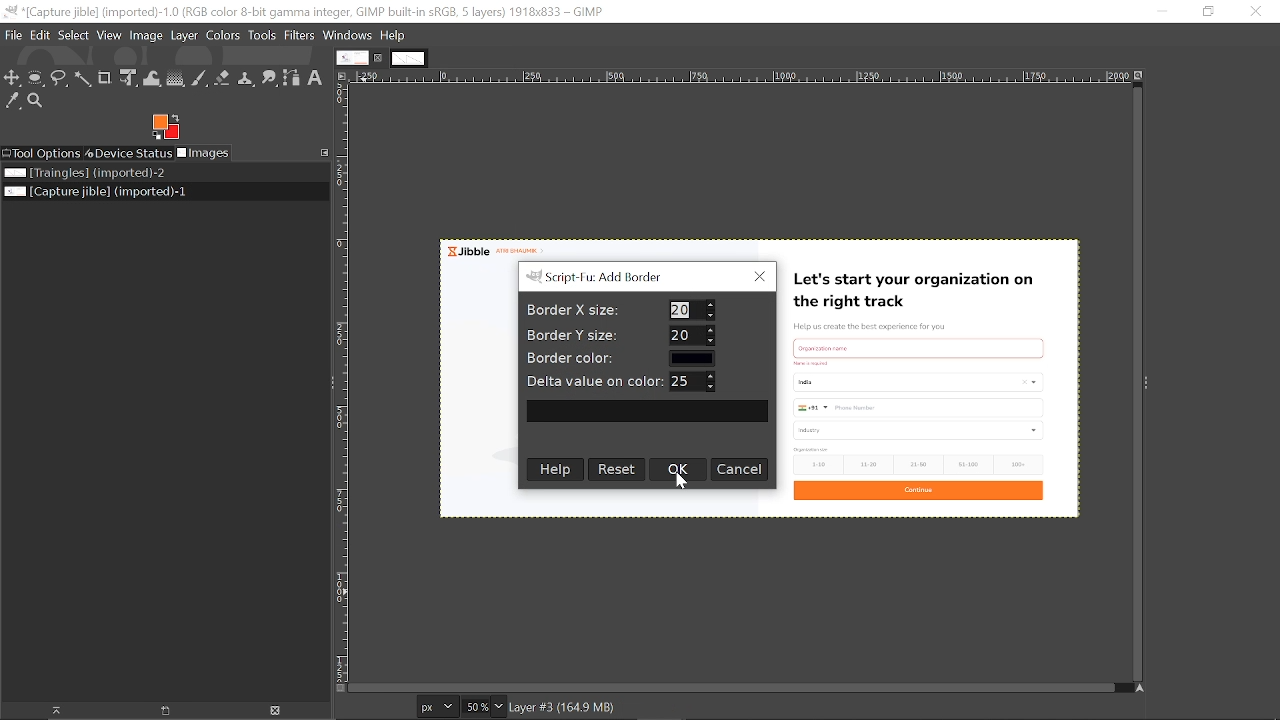 This screenshot has height=720, width=1280. Describe the element at coordinates (499, 708) in the screenshot. I see `Zoom options` at that location.